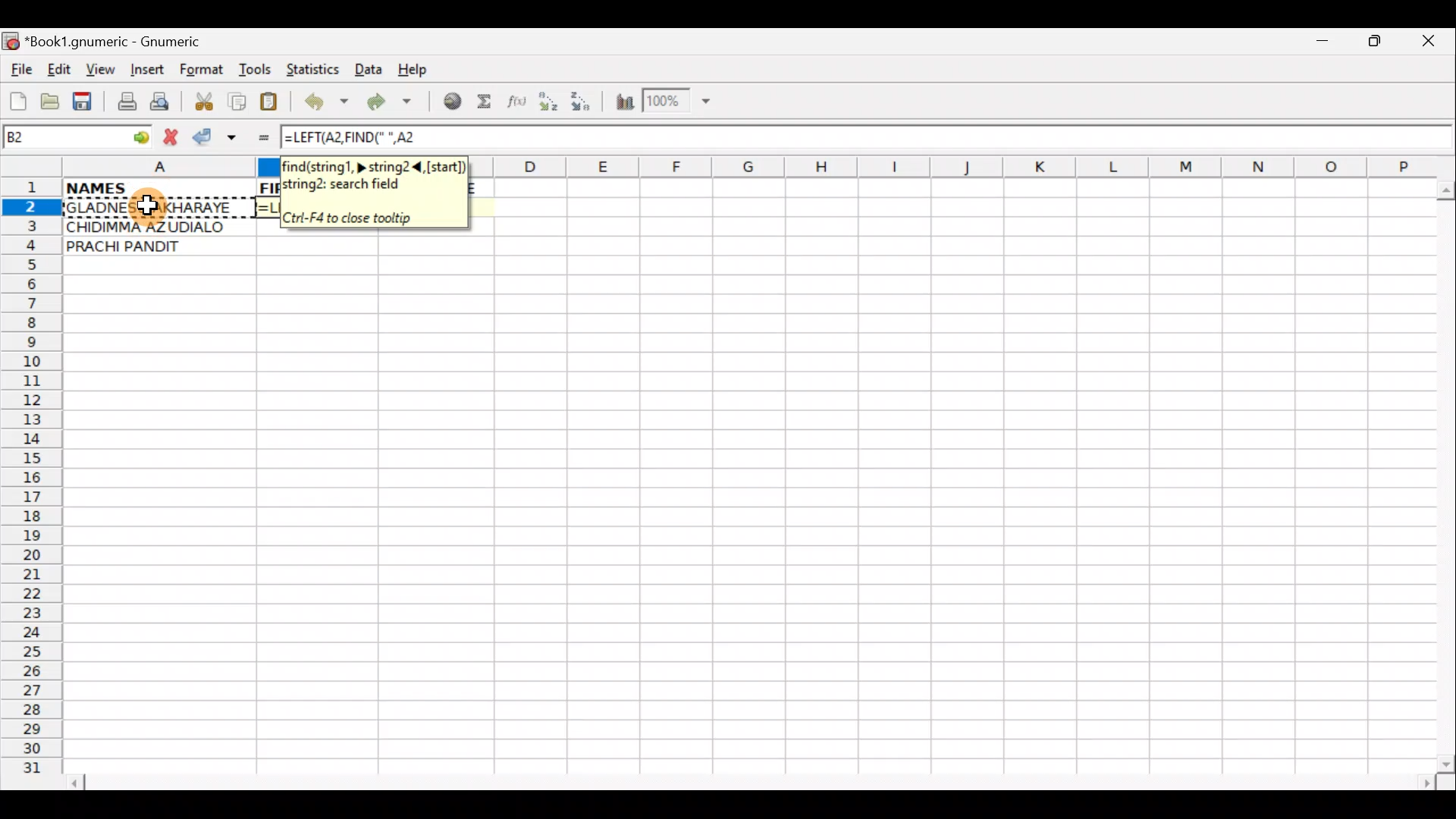  I want to click on Columns, so click(962, 165).